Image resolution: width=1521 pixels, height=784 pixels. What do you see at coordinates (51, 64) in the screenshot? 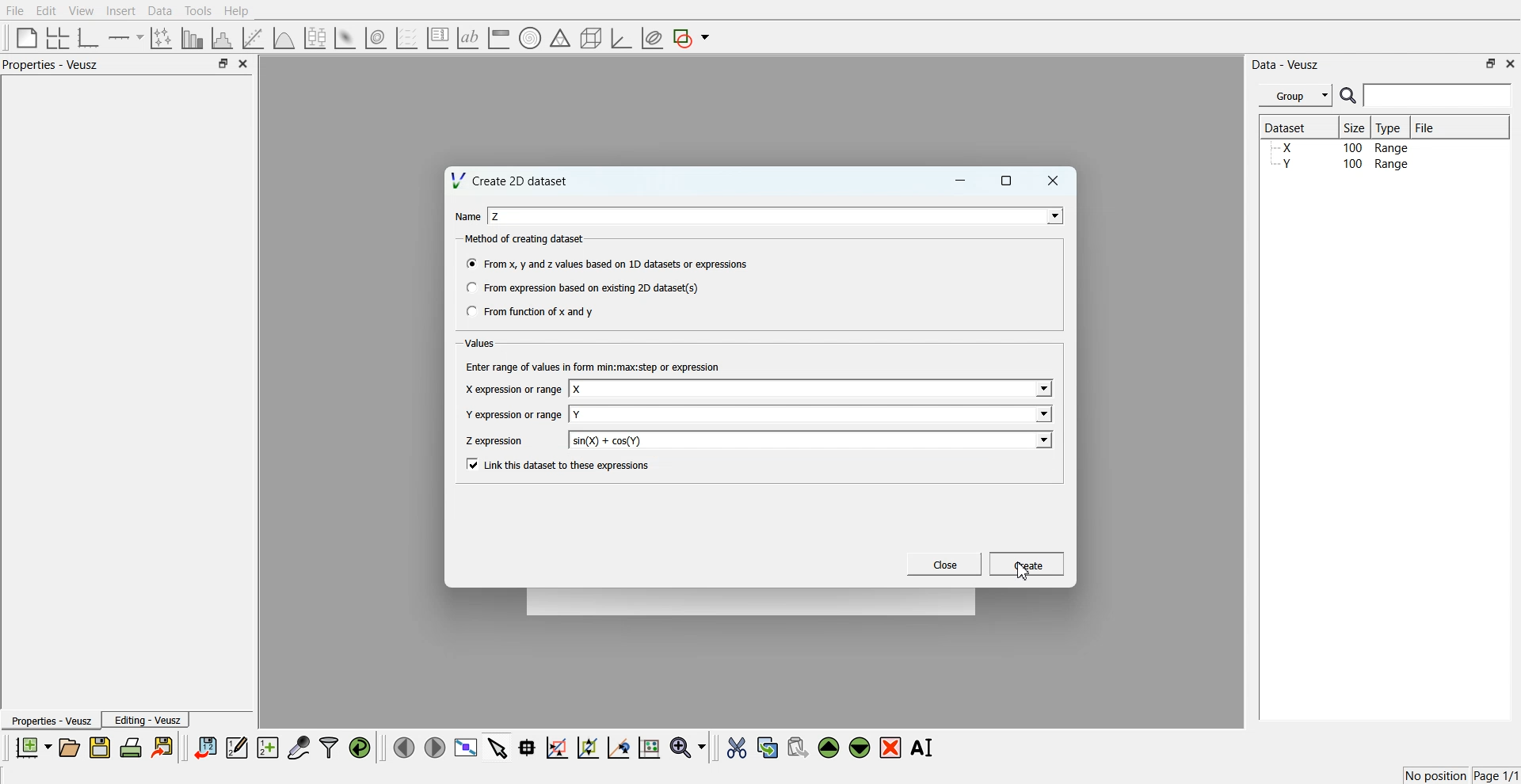
I see `Properties - Veusz` at bounding box center [51, 64].